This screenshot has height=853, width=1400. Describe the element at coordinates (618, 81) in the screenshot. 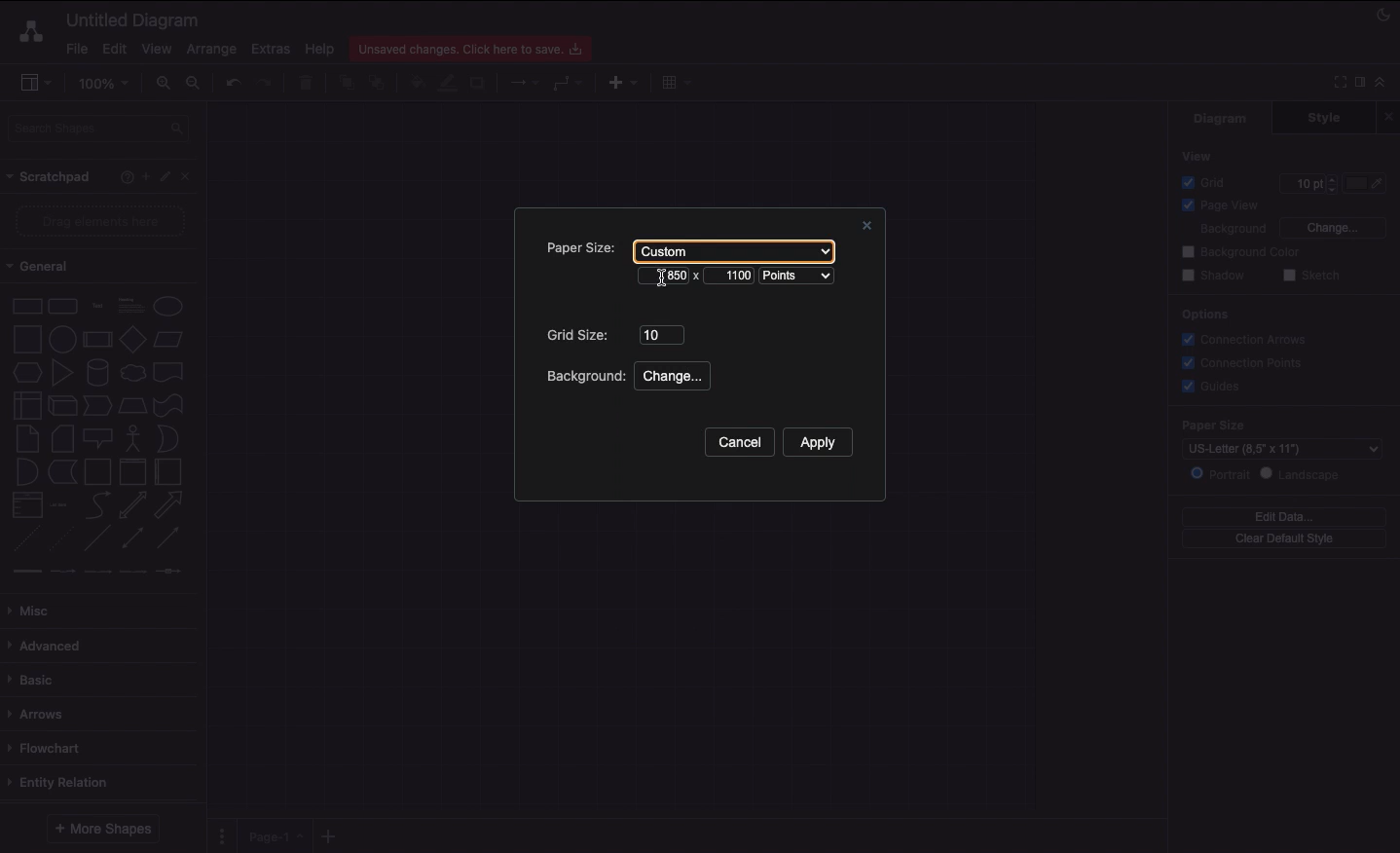

I see `Insert` at that location.